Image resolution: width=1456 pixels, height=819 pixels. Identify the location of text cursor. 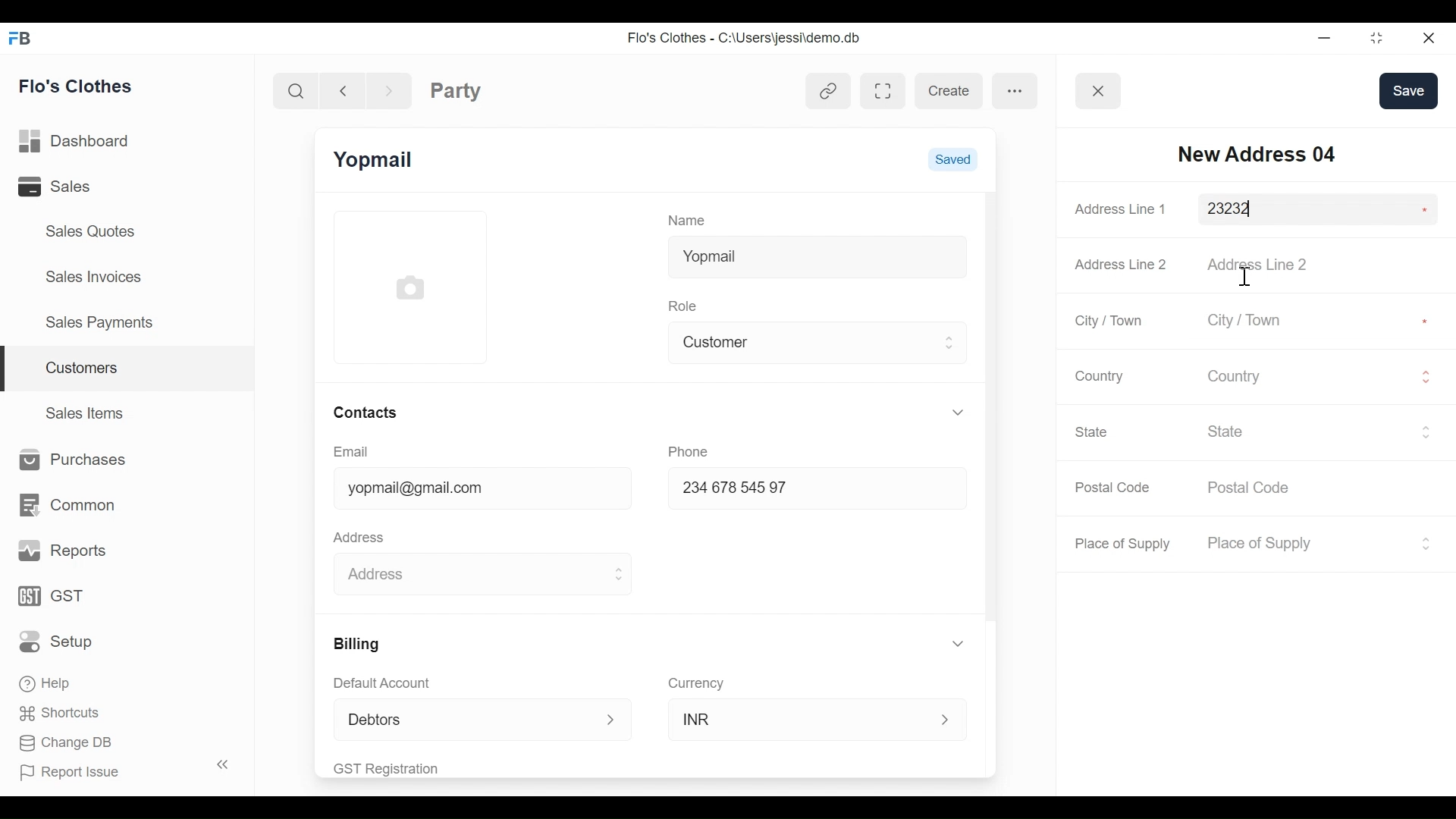
(1243, 275).